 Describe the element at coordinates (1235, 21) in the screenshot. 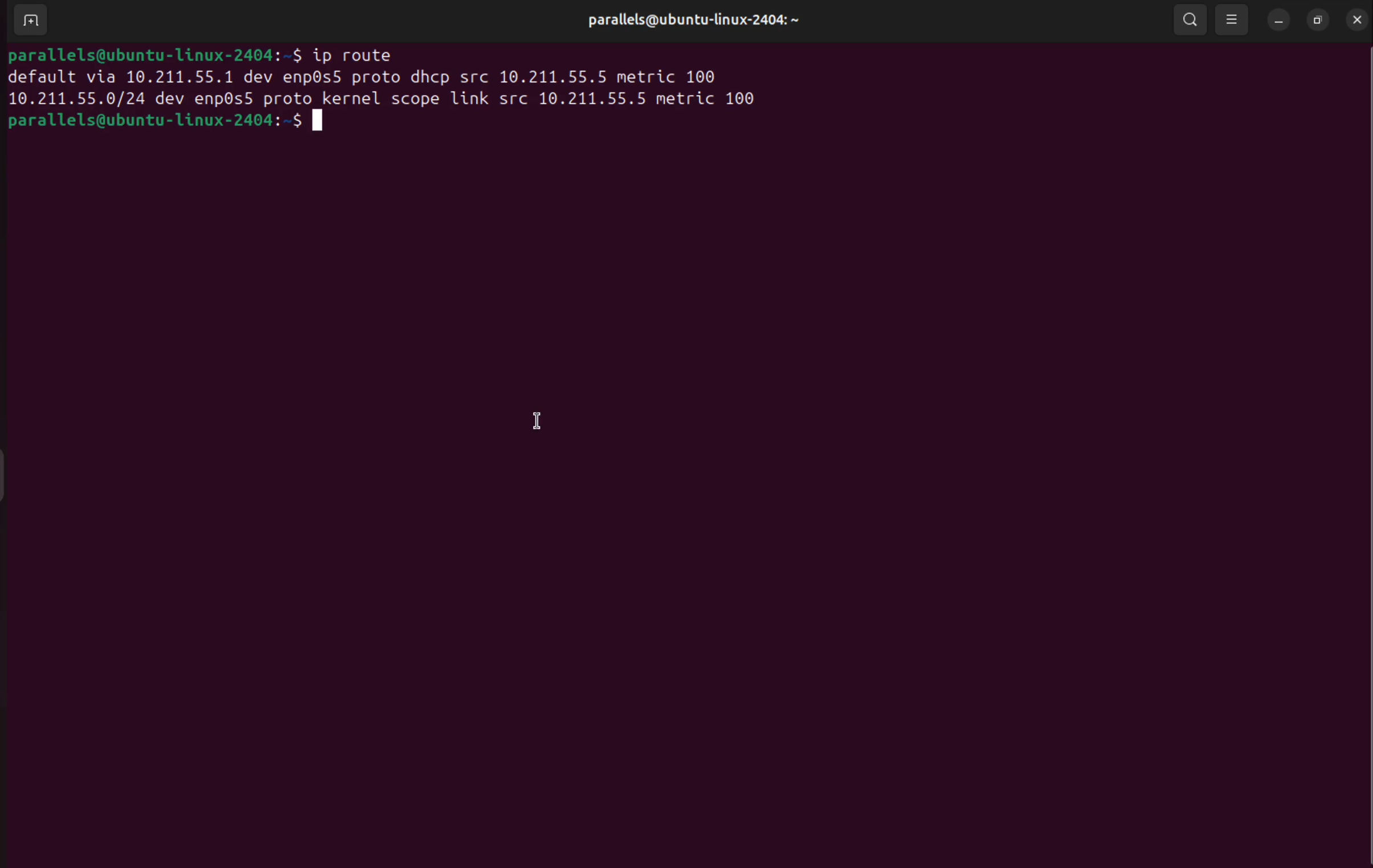

I see `view options` at that location.